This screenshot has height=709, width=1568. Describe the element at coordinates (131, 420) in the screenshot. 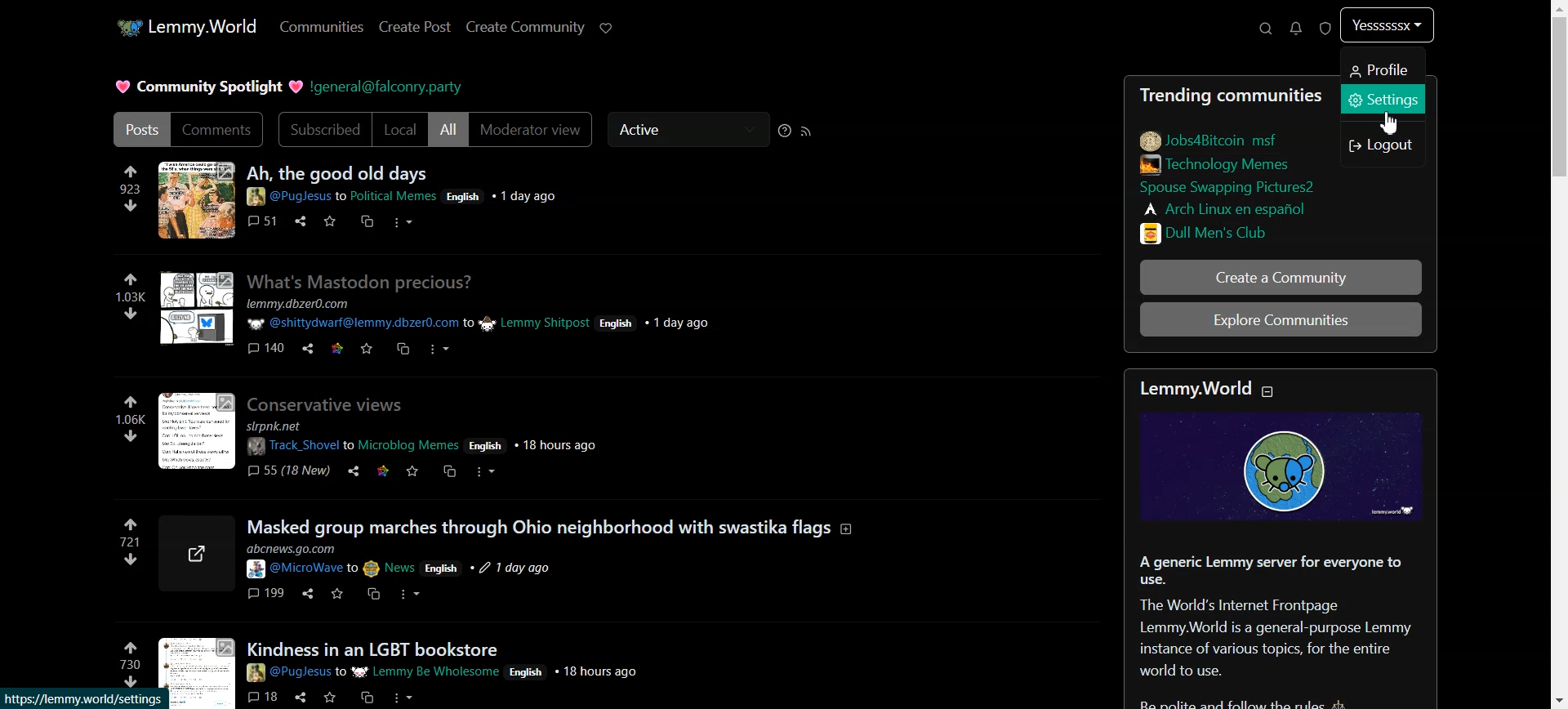

I see `numbers` at that location.